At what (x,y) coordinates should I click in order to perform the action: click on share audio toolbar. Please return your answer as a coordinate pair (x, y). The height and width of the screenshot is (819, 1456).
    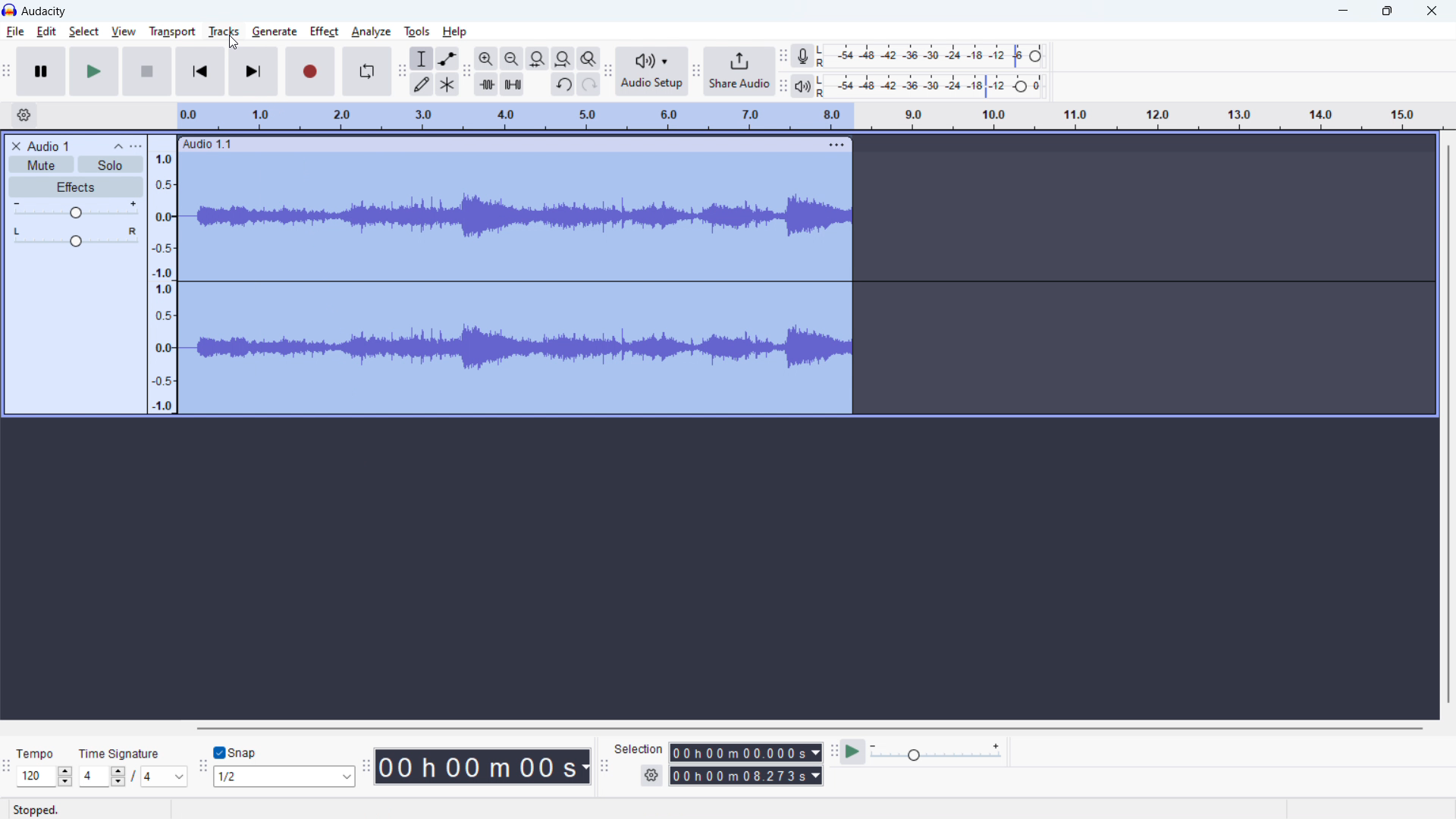
    Looking at the image, I should click on (696, 71).